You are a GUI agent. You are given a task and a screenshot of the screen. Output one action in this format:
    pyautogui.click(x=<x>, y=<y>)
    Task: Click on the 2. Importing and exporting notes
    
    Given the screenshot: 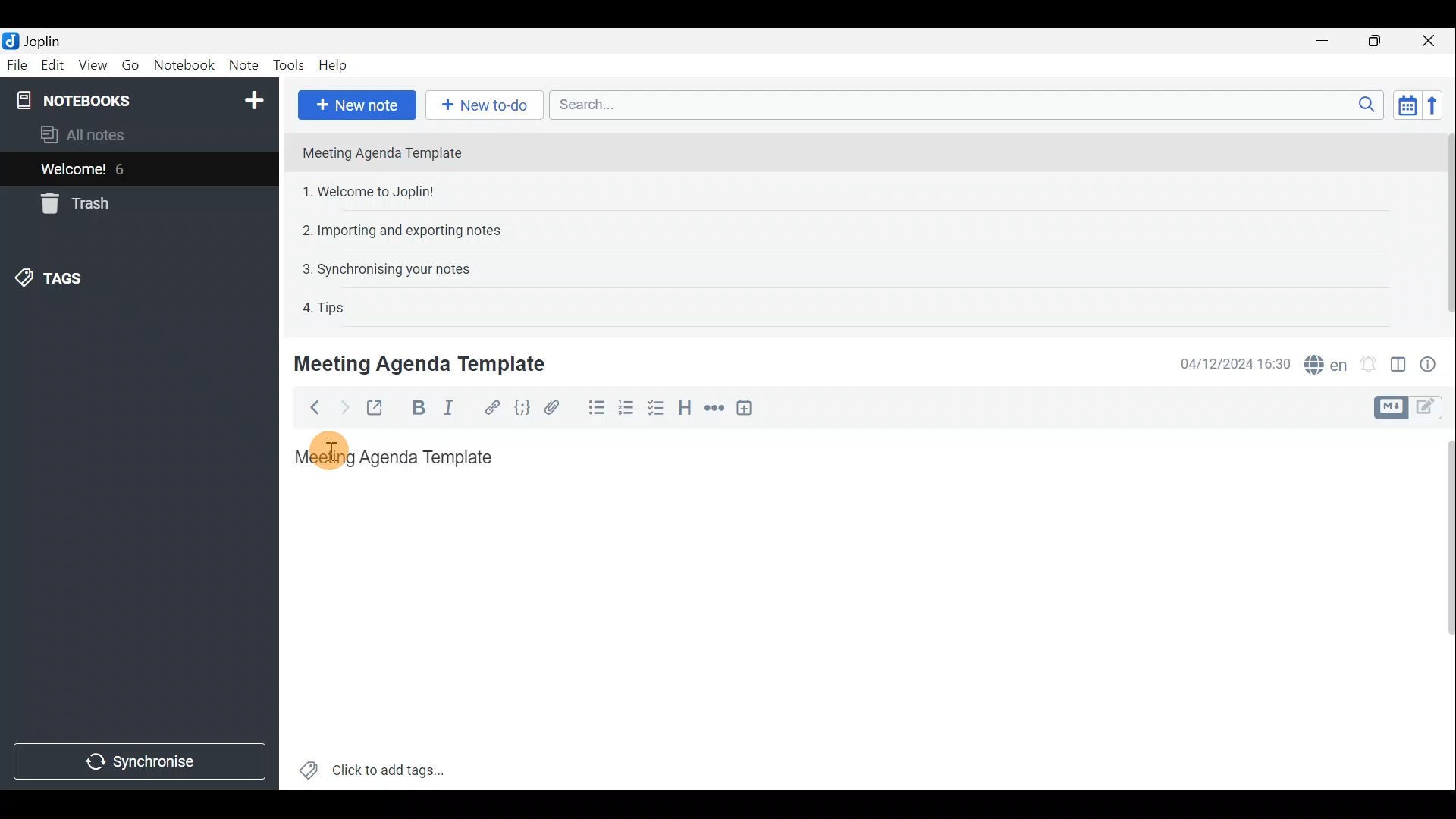 What is the action you would take?
    pyautogui.click(x=407, y=231)
    